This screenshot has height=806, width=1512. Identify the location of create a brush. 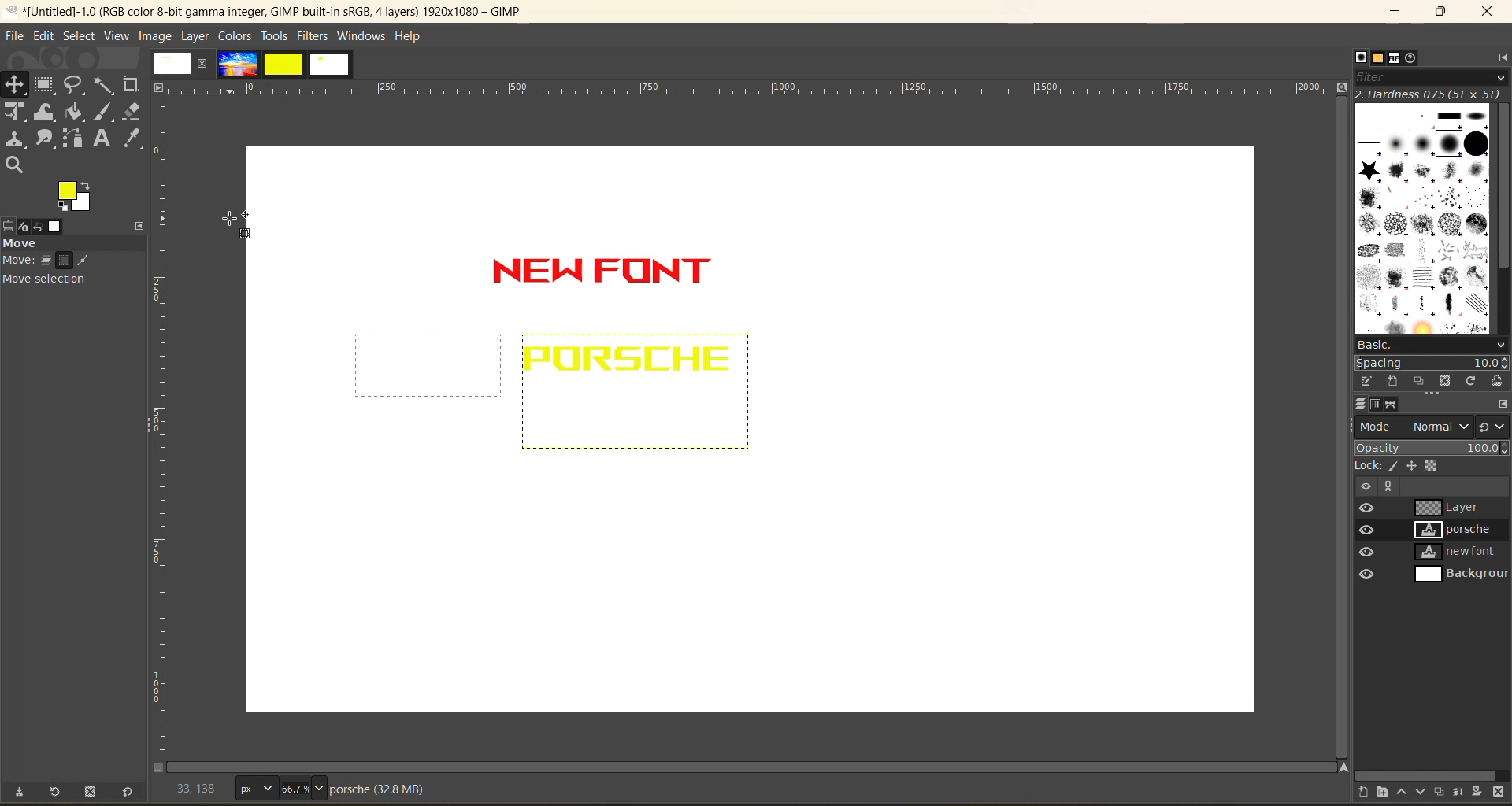
(1384, 381).